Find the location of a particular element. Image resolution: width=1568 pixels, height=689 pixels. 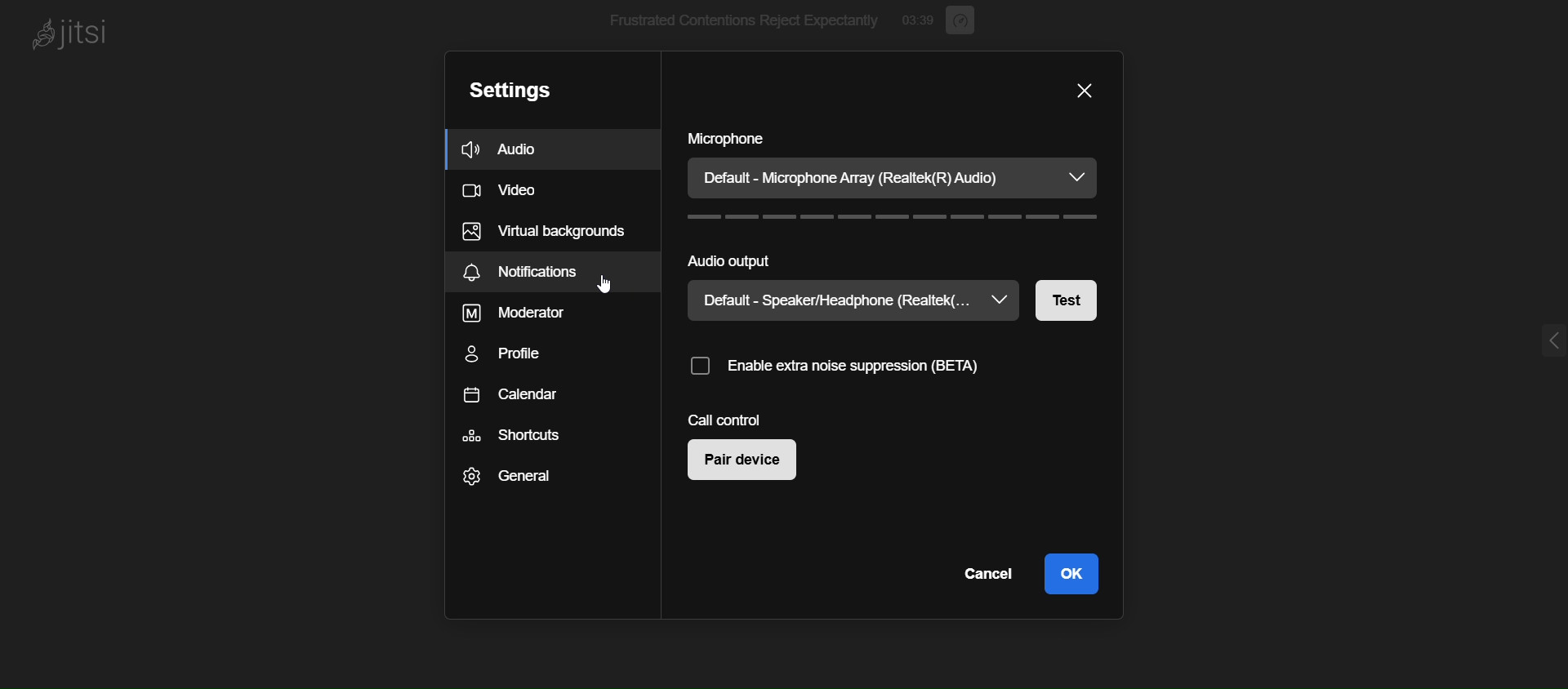

cursor is located at coordinates (603, 287).